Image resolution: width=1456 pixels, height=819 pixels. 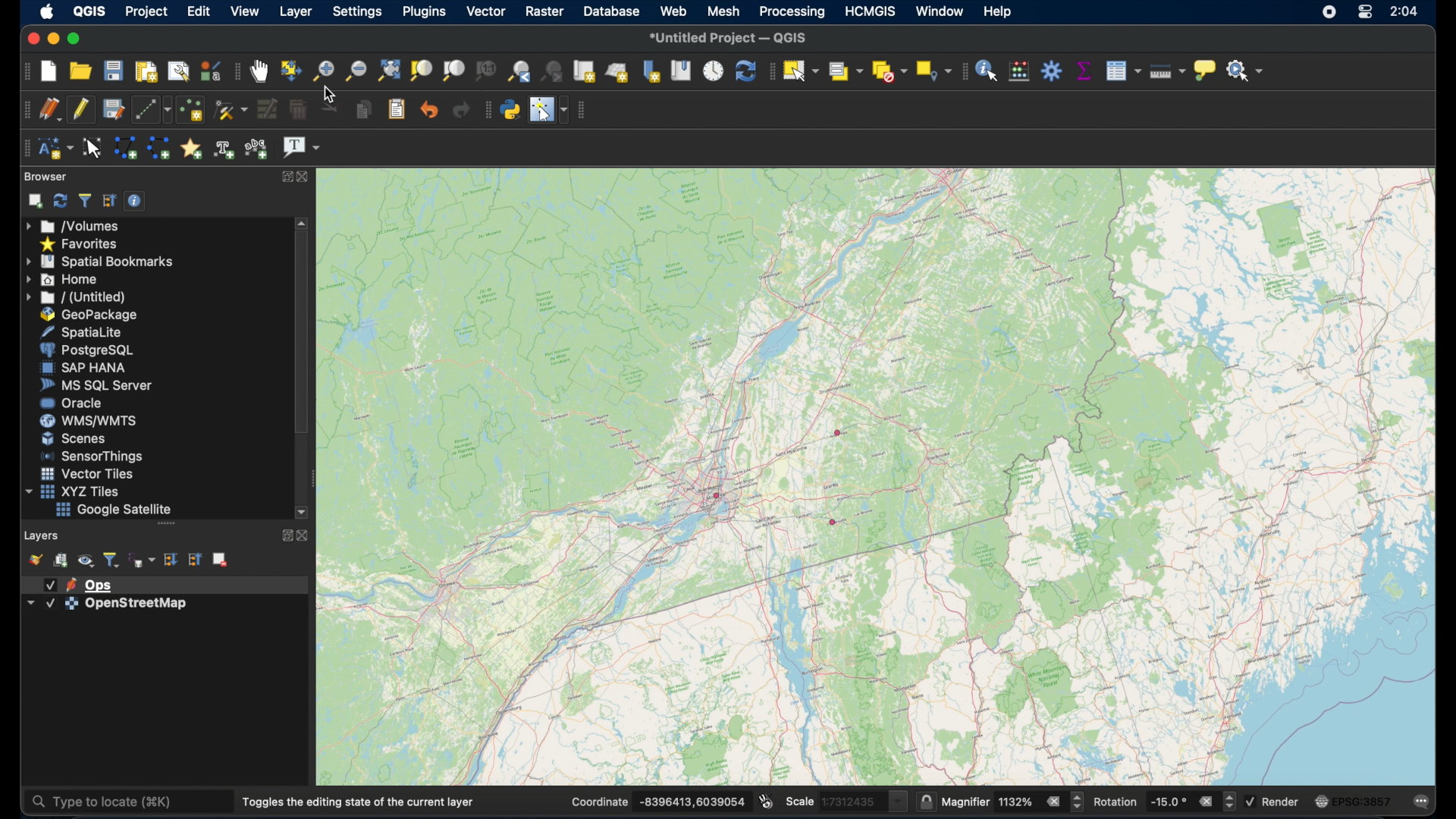 What do you see at coordinates (1205, 70) in the screenshot?
I see `show map tips` at bounding box center [1205, 70].